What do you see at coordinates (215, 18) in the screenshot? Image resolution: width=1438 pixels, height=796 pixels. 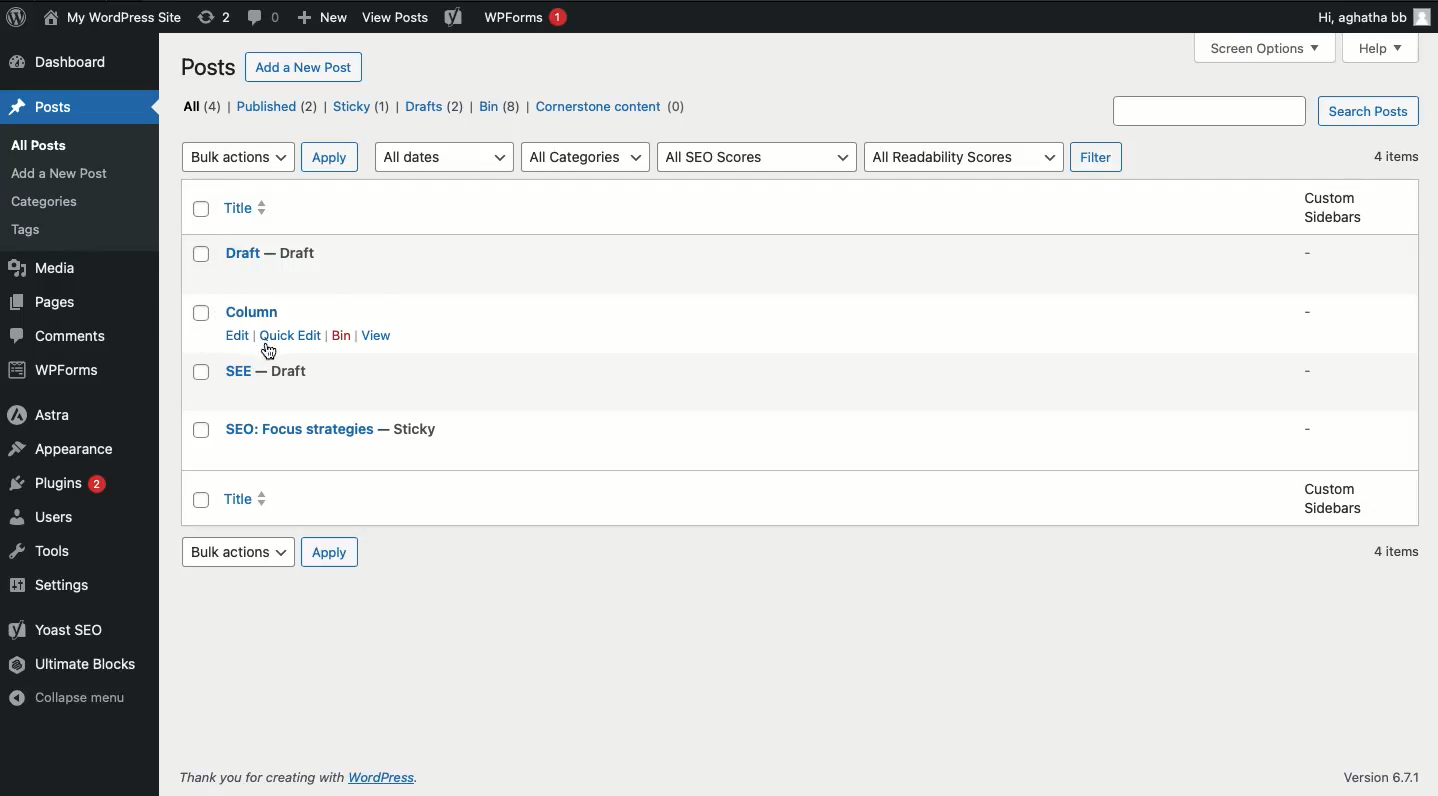 I see `Revisions` at bounding box center [215, 18].